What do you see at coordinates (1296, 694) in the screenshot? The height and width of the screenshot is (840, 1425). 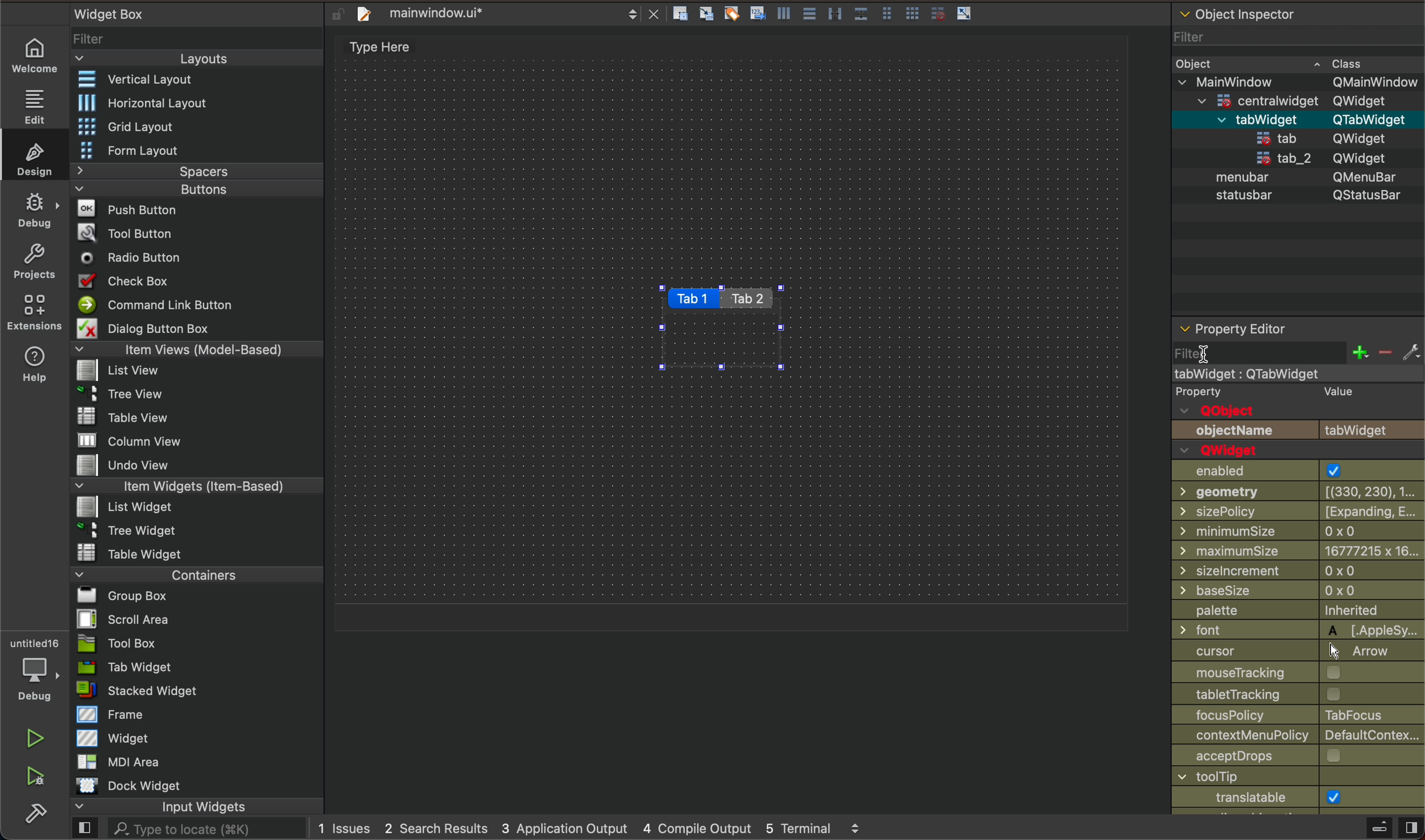 I see `tracking` at bounding box center [1296, 694].